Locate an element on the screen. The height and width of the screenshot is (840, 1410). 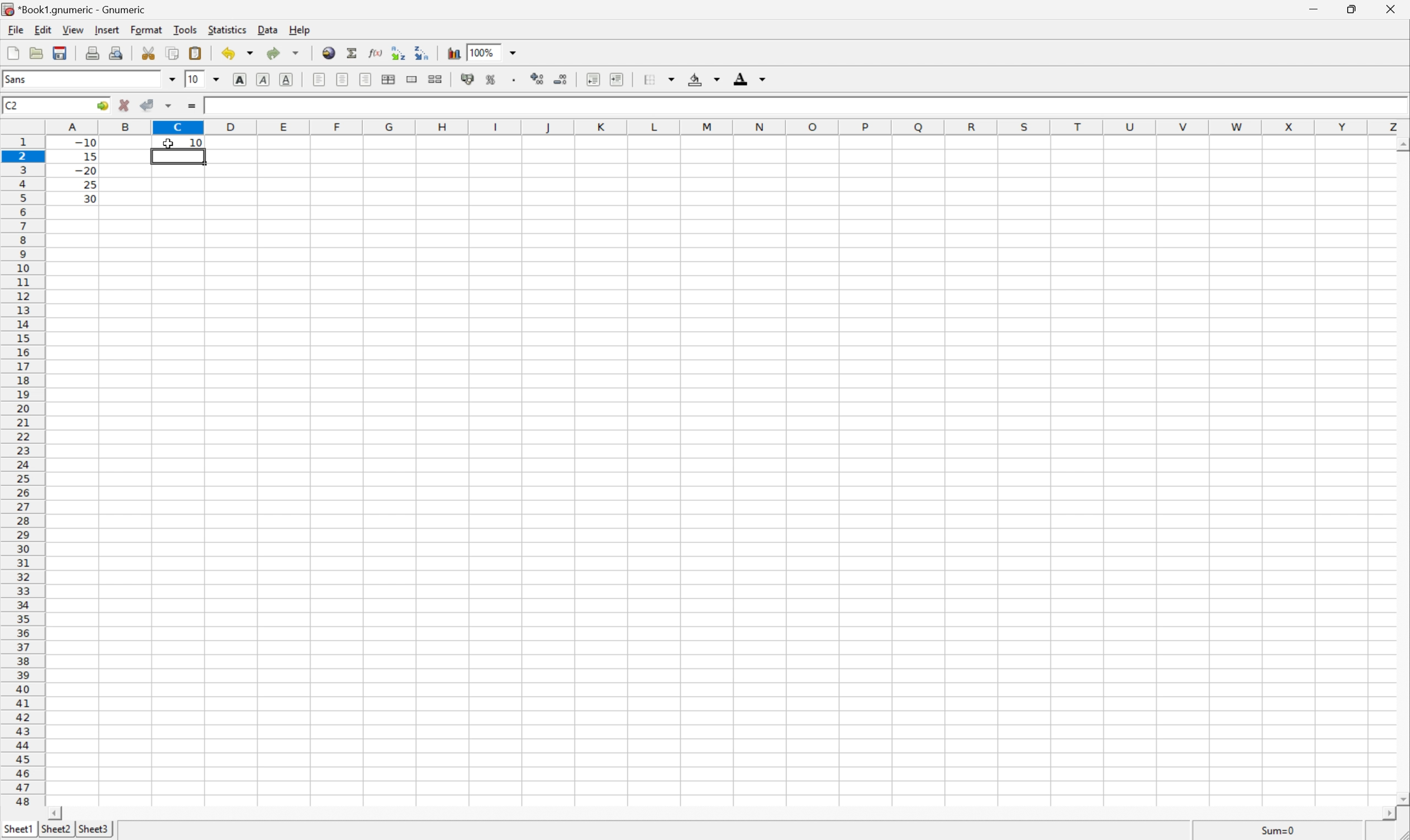
Print preview is located at coordinates (118, 52).